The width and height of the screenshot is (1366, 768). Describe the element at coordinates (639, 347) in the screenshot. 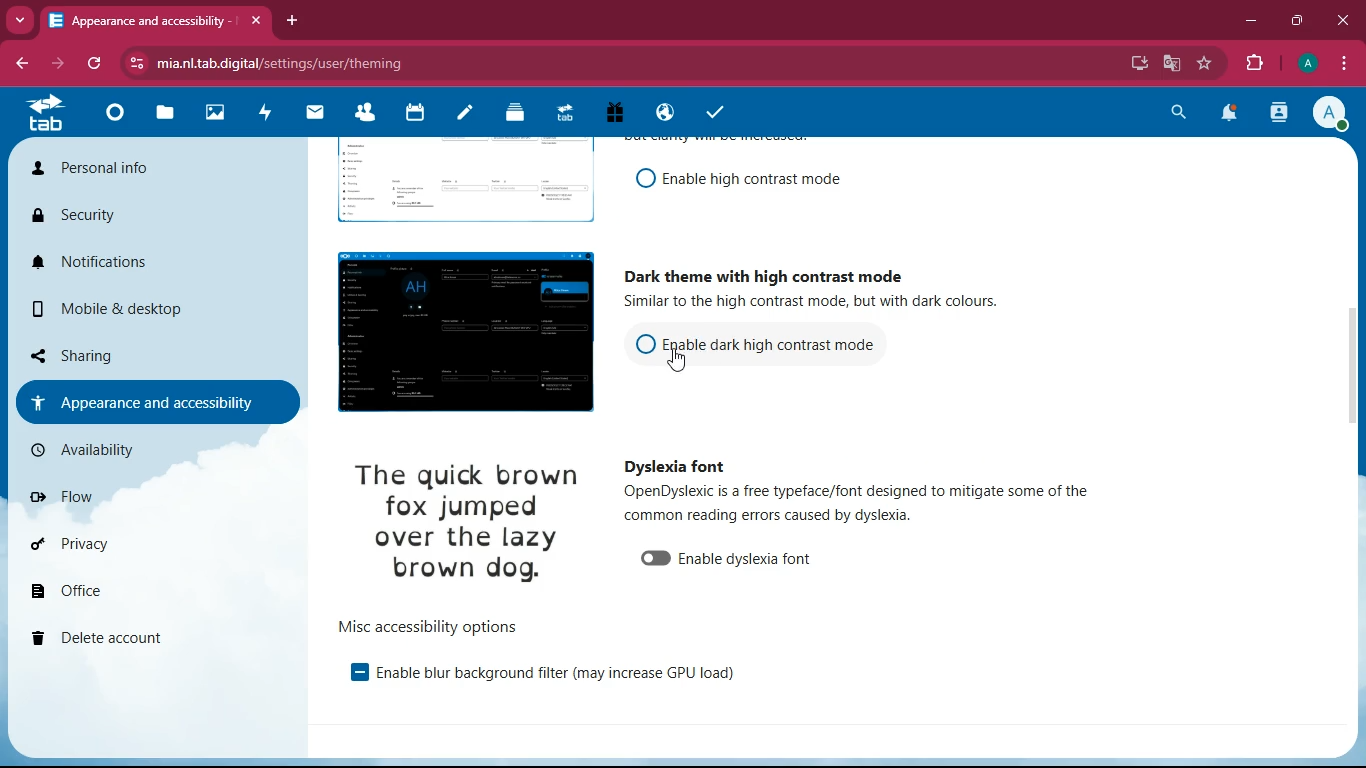

I see `on/off` at that location.